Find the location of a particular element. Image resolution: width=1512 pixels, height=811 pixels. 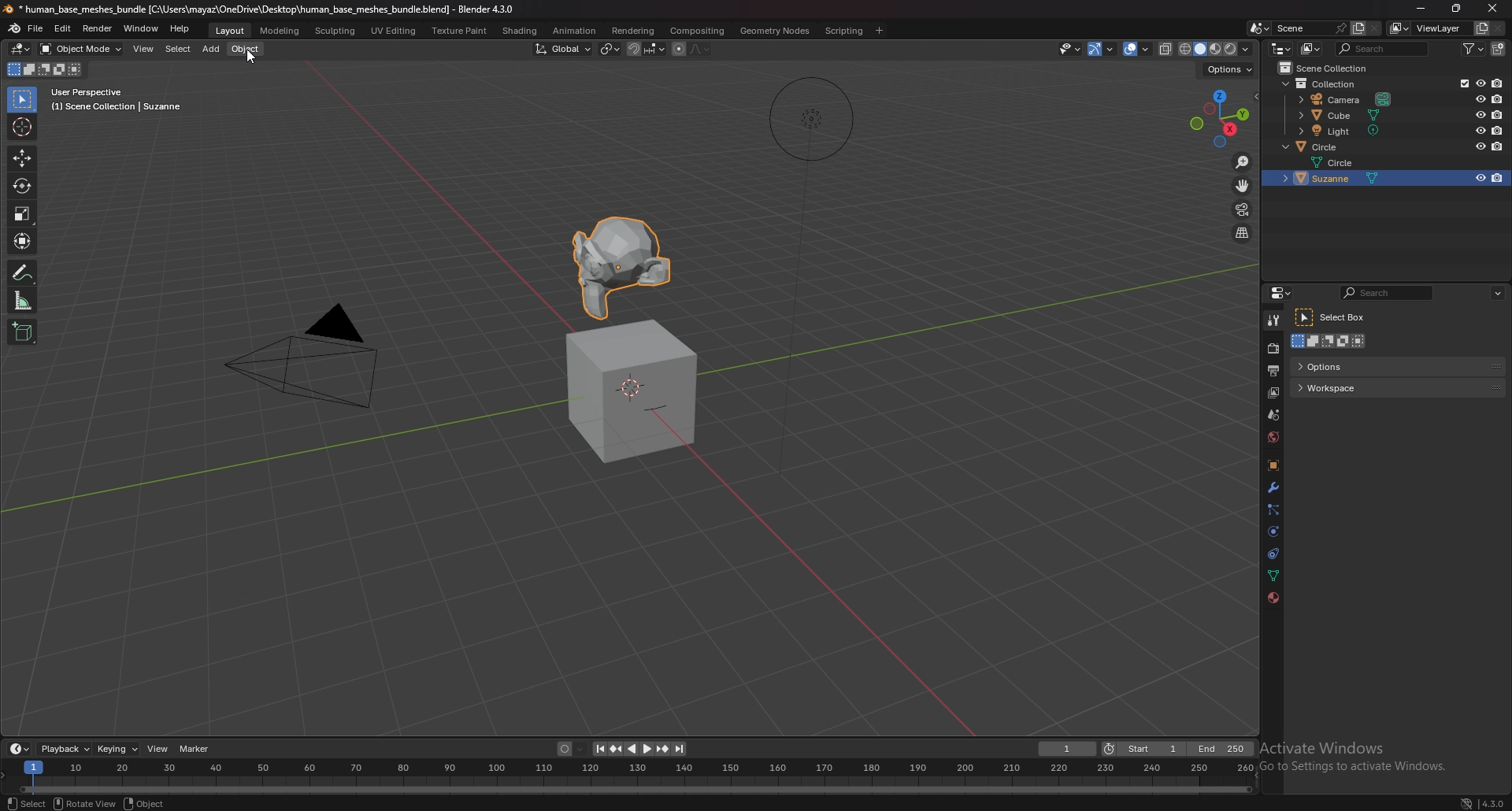

modifier is located at coordinates (1273, 488).